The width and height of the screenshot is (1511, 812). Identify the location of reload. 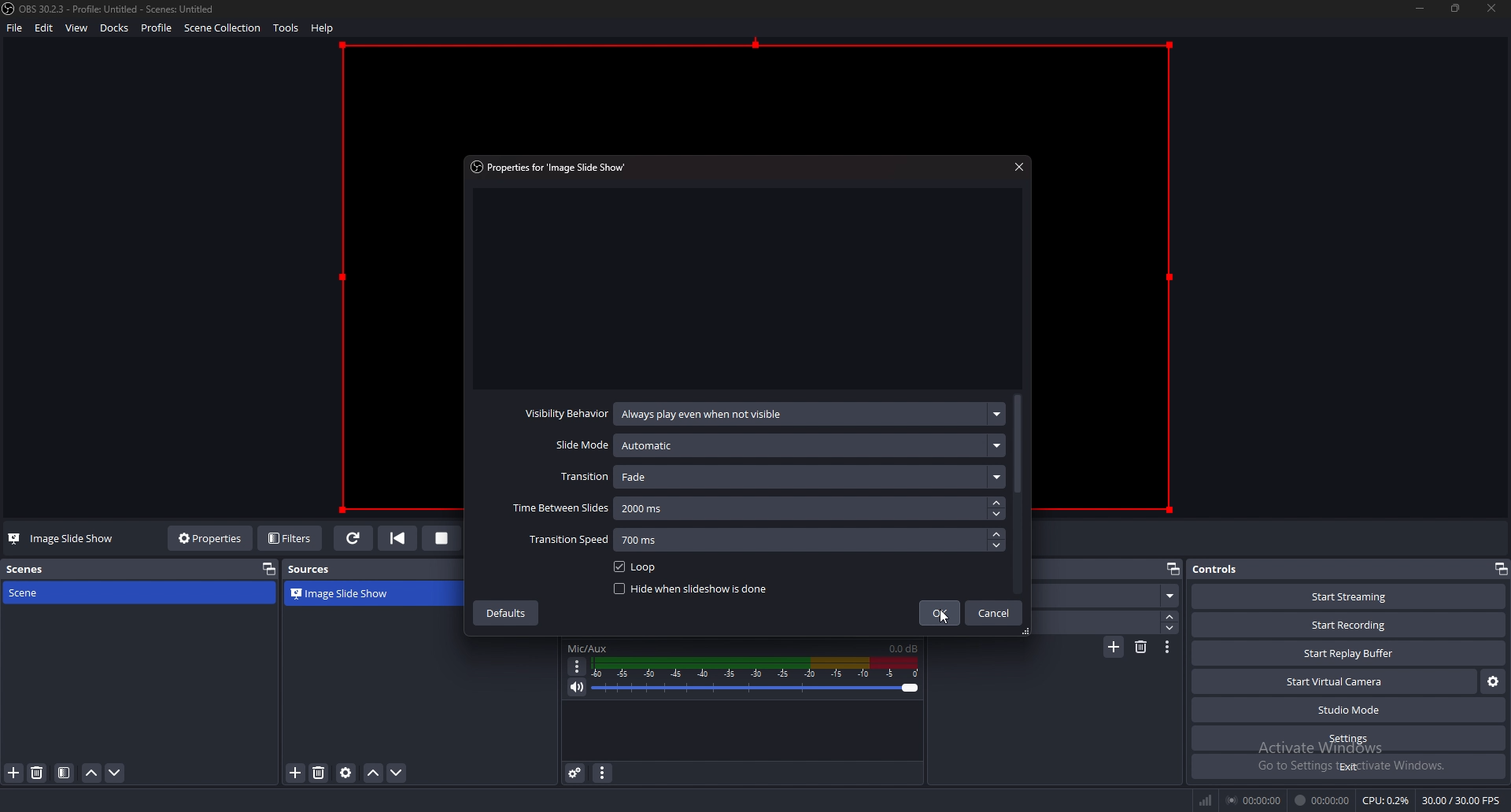
(352, 539).